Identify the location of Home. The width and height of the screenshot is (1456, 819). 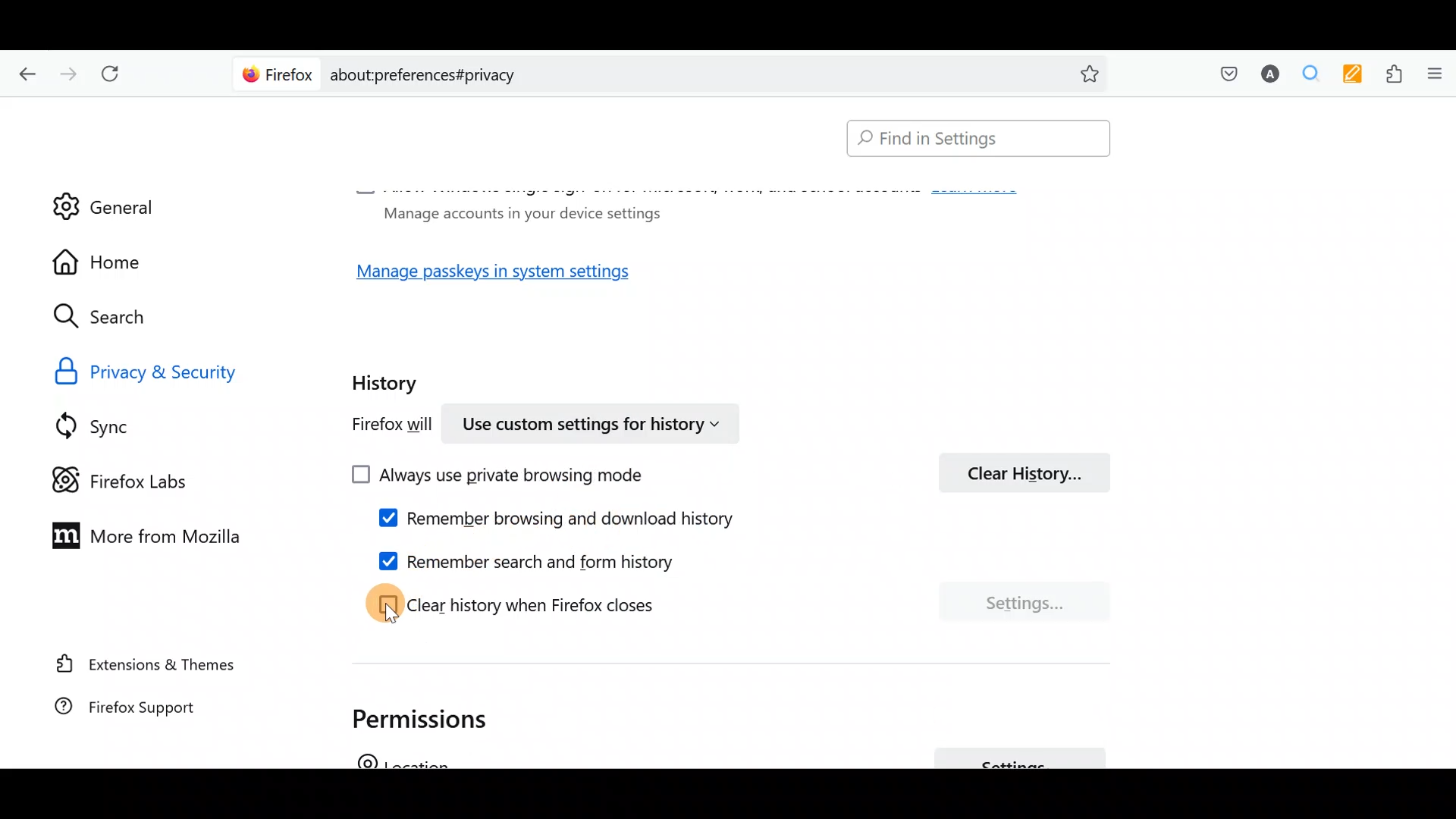
(112, 262).